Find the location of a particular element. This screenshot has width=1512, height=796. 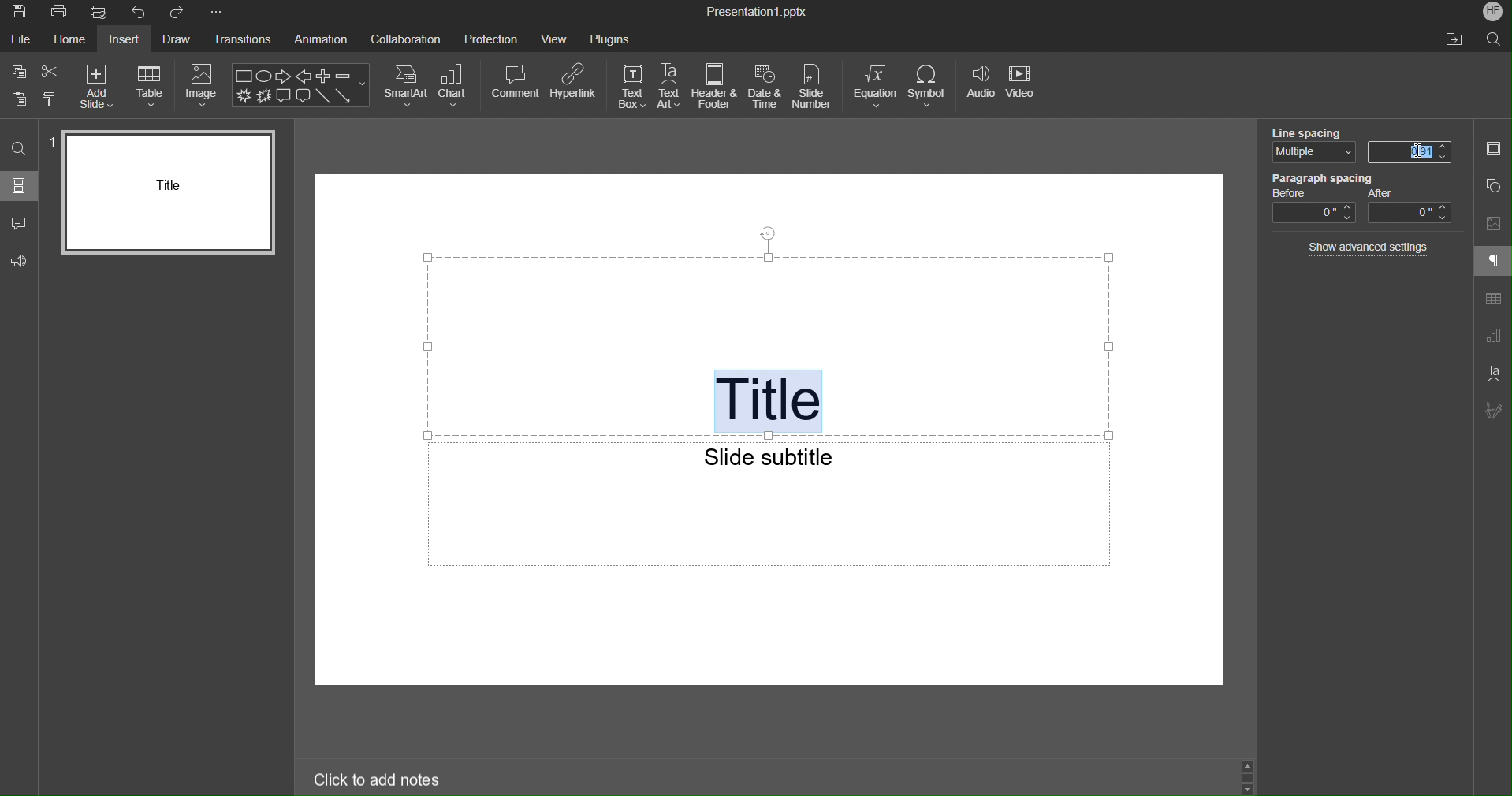

View is located at coordinates (554, 41).